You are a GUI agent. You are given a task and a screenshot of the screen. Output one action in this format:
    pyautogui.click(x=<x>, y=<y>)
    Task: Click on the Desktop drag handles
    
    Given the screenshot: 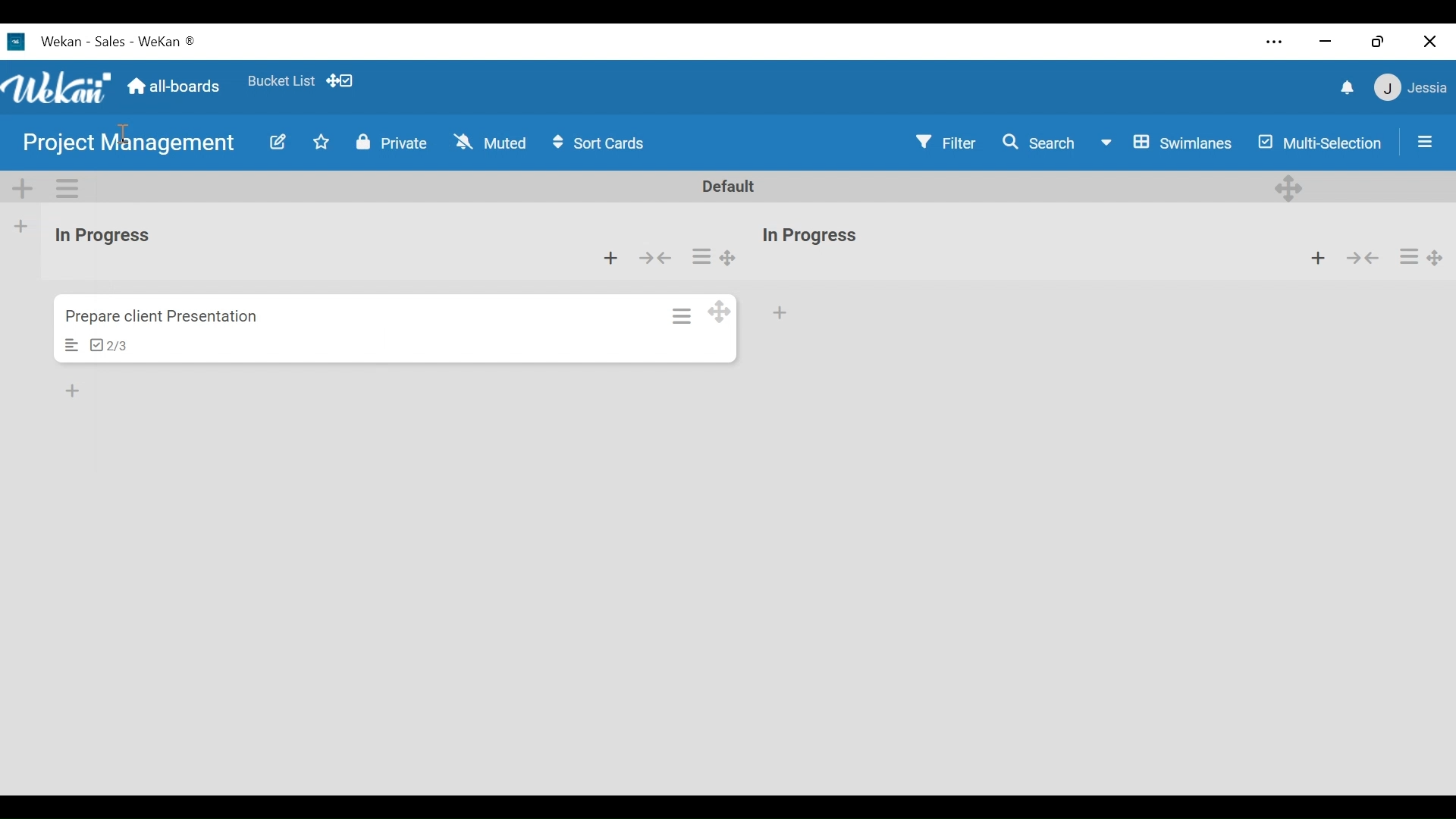 What is the action you would take?
    pyautogui.click(x=727, y=257)
    